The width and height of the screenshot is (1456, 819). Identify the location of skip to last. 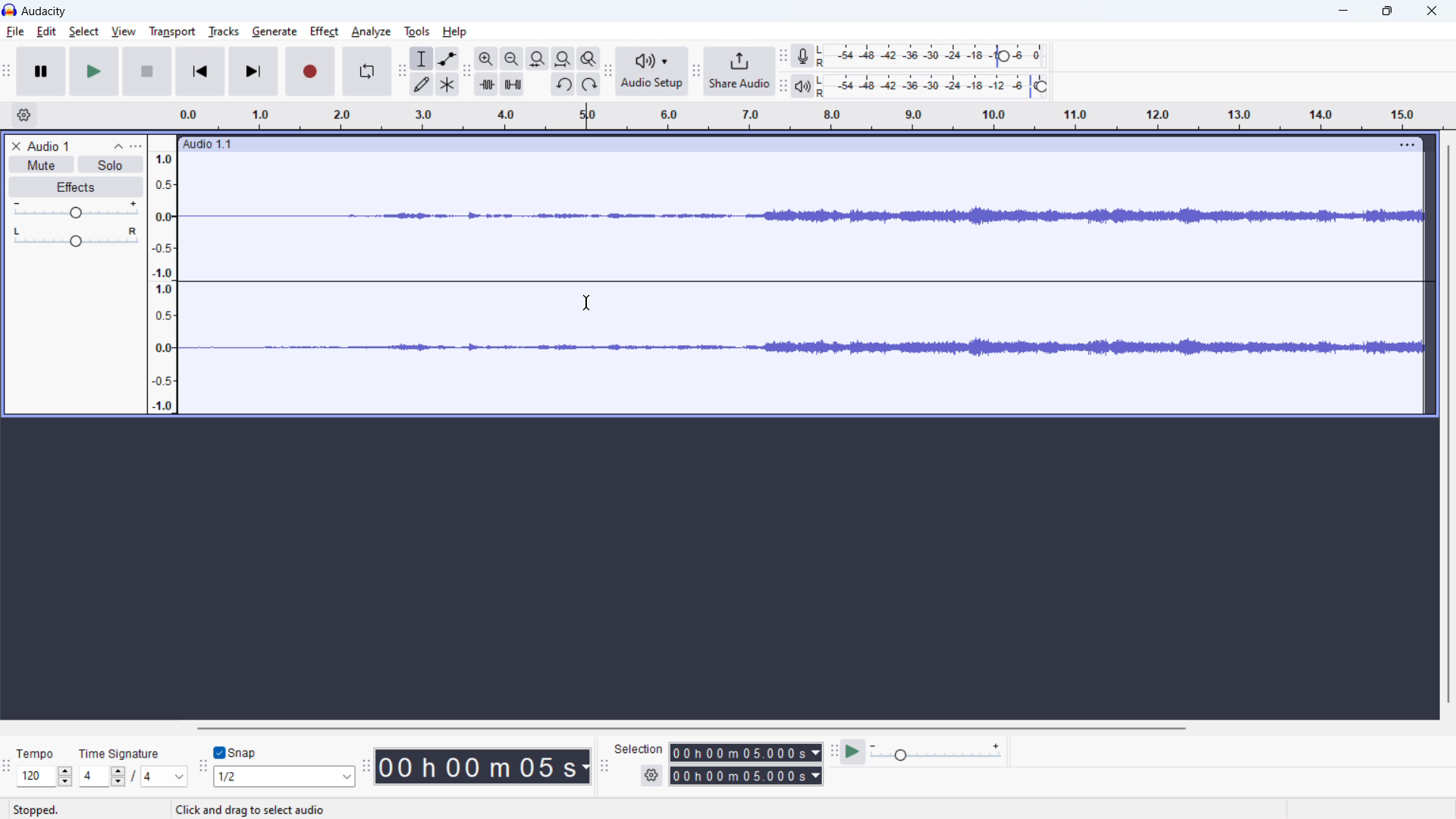
(255, 71).